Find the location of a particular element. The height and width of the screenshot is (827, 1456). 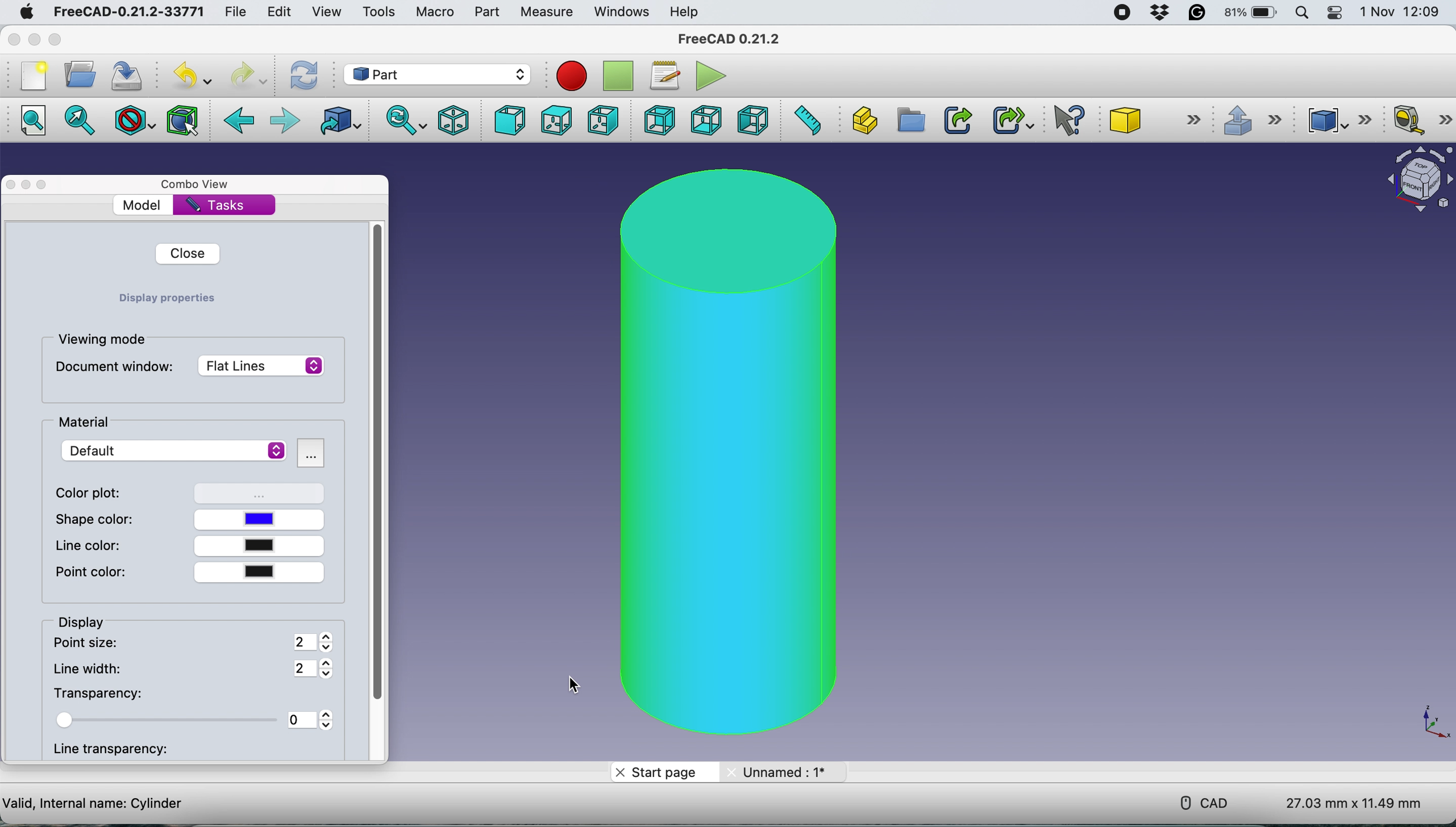

measure distance is located at coordinates (810, 120).